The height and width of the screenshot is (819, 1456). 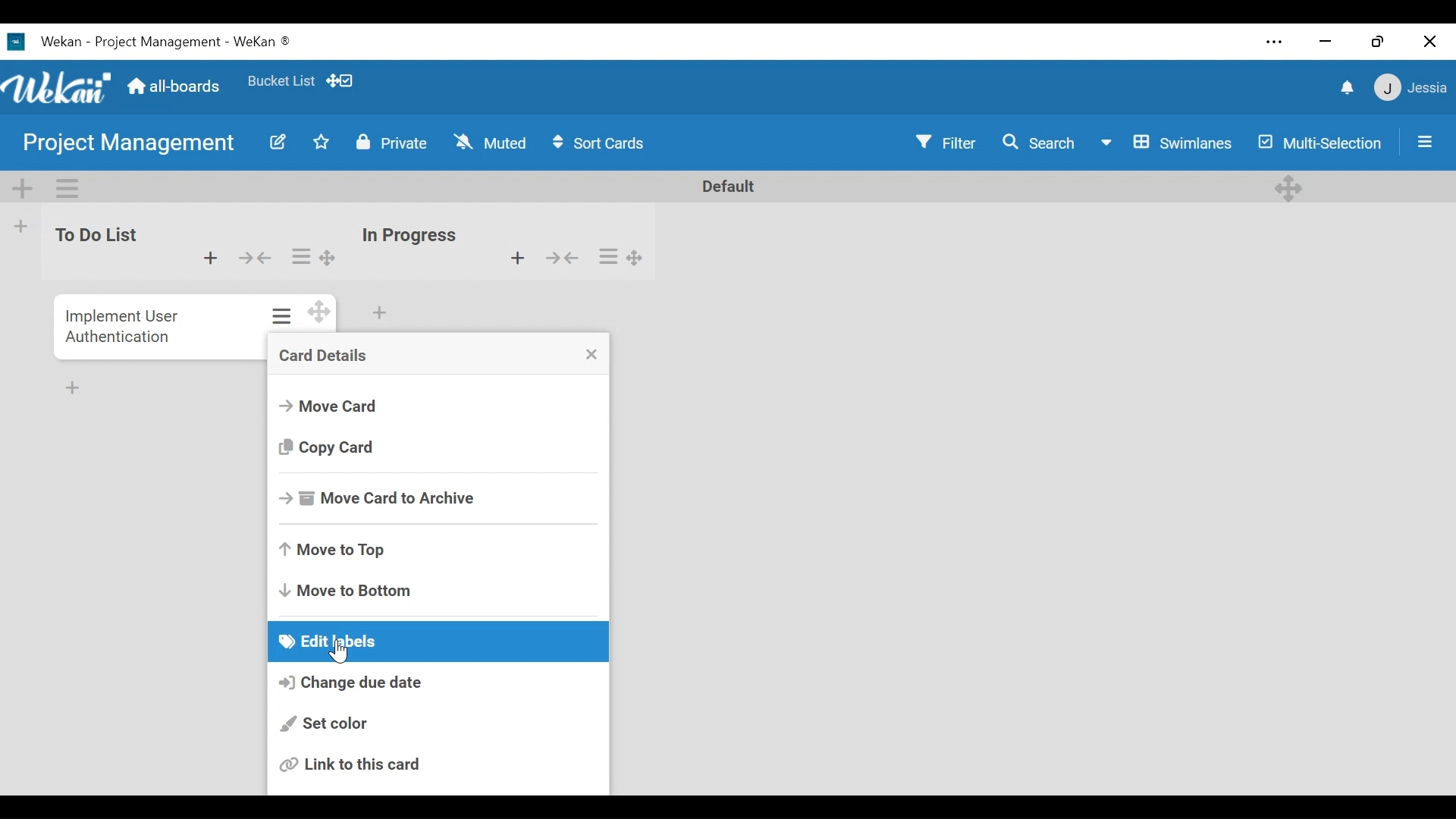 I want to click on desktop drag handles, so click(x=1288, y=188).